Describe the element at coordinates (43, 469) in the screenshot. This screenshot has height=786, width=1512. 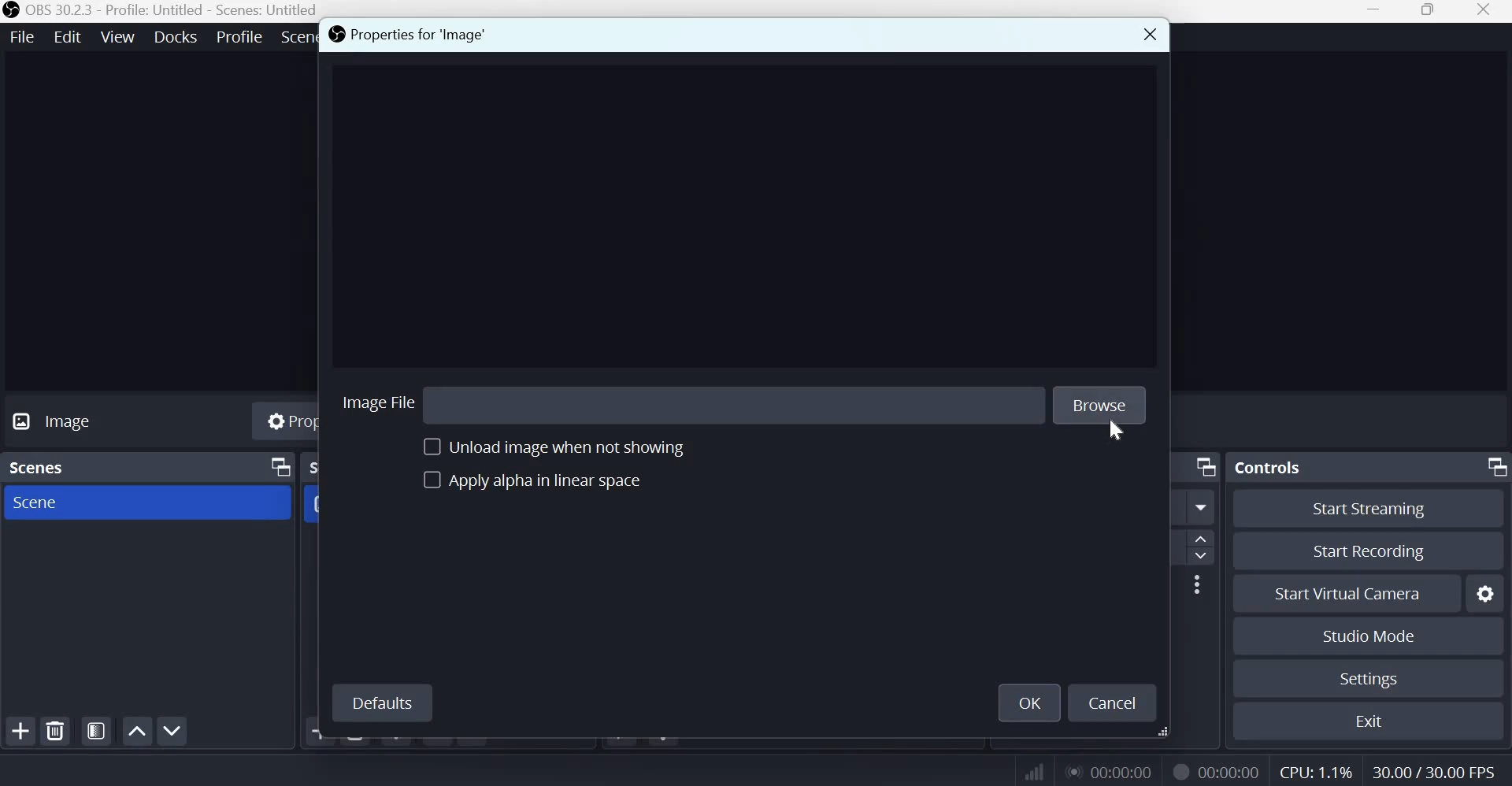
I see `Scenes` at that location.